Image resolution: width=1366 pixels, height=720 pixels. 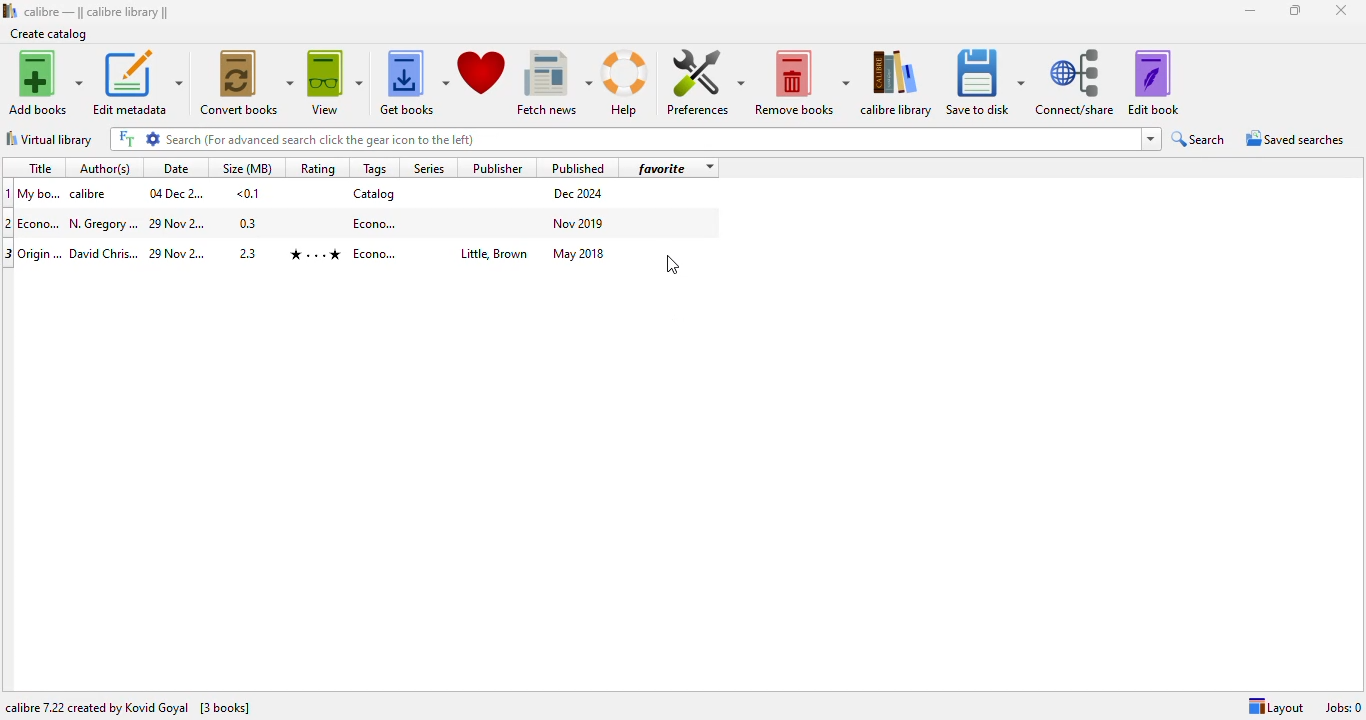 What do you see at coordinates (104, 224) in the screenshot?
I see `author` at bounding box center [104, 224].